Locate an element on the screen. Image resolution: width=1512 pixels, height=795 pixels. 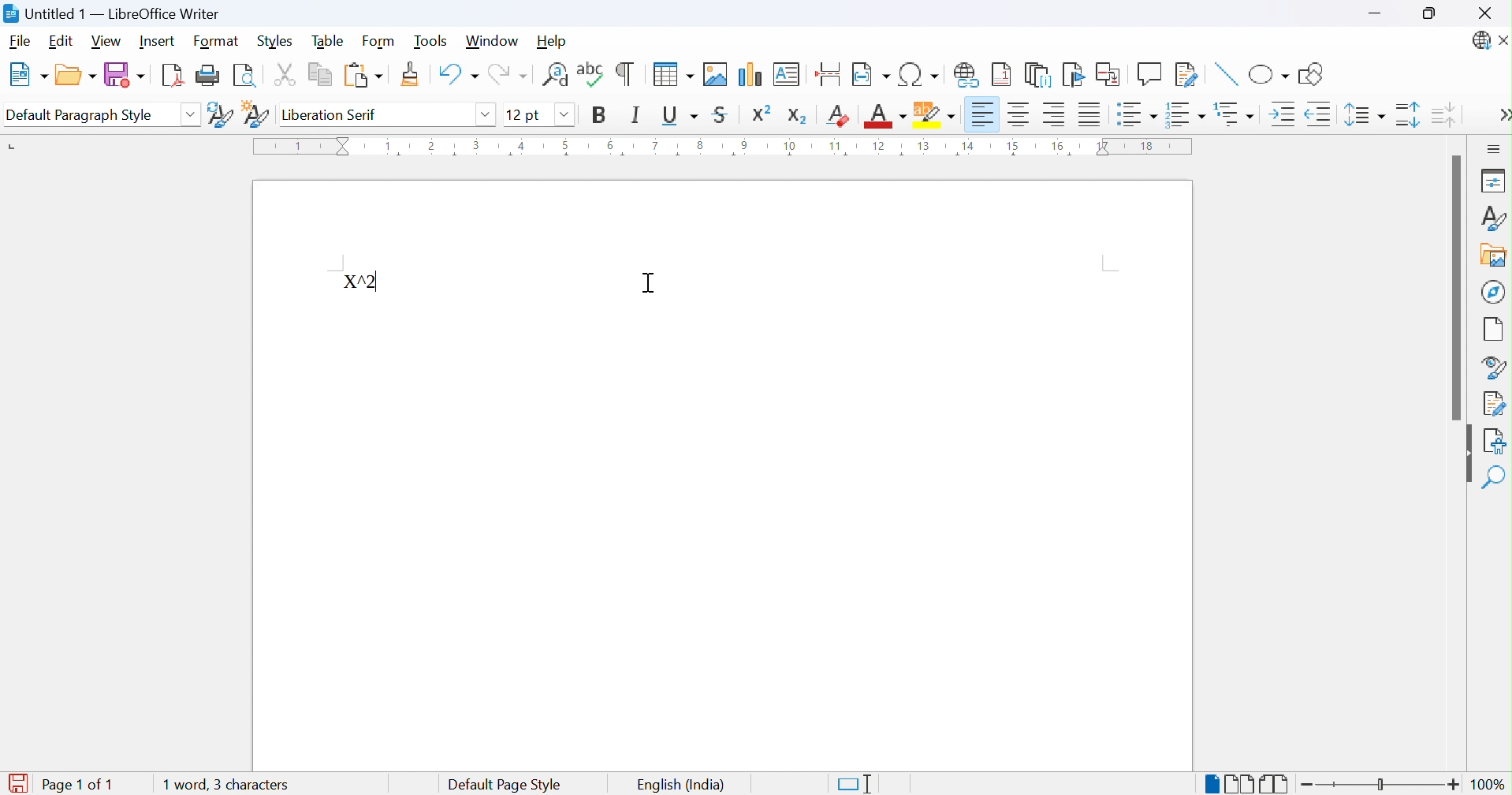
Find and replace is located at coordinates (556, 73).